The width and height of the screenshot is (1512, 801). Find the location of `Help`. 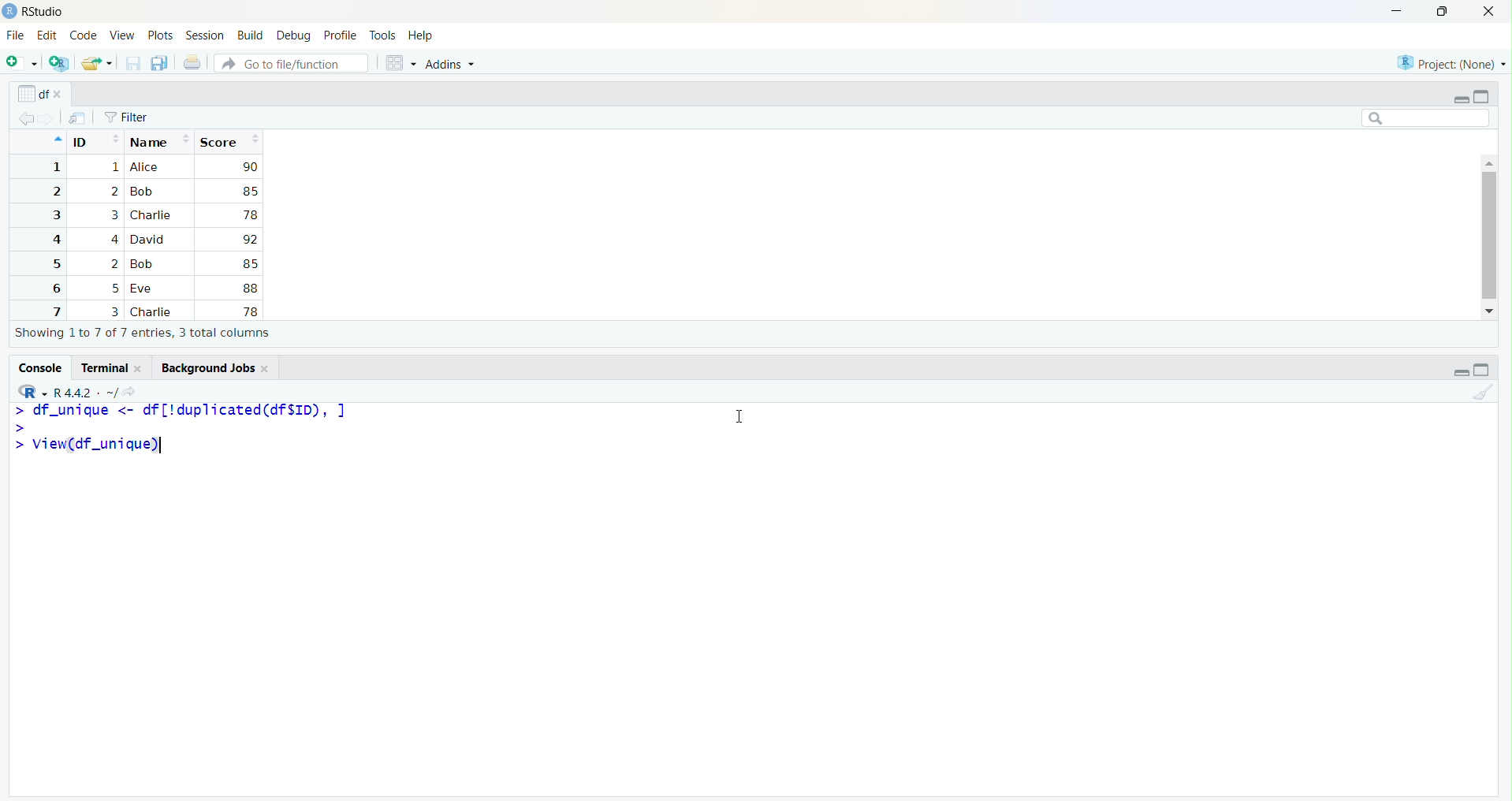

Help is located at coordinates (421, 37).